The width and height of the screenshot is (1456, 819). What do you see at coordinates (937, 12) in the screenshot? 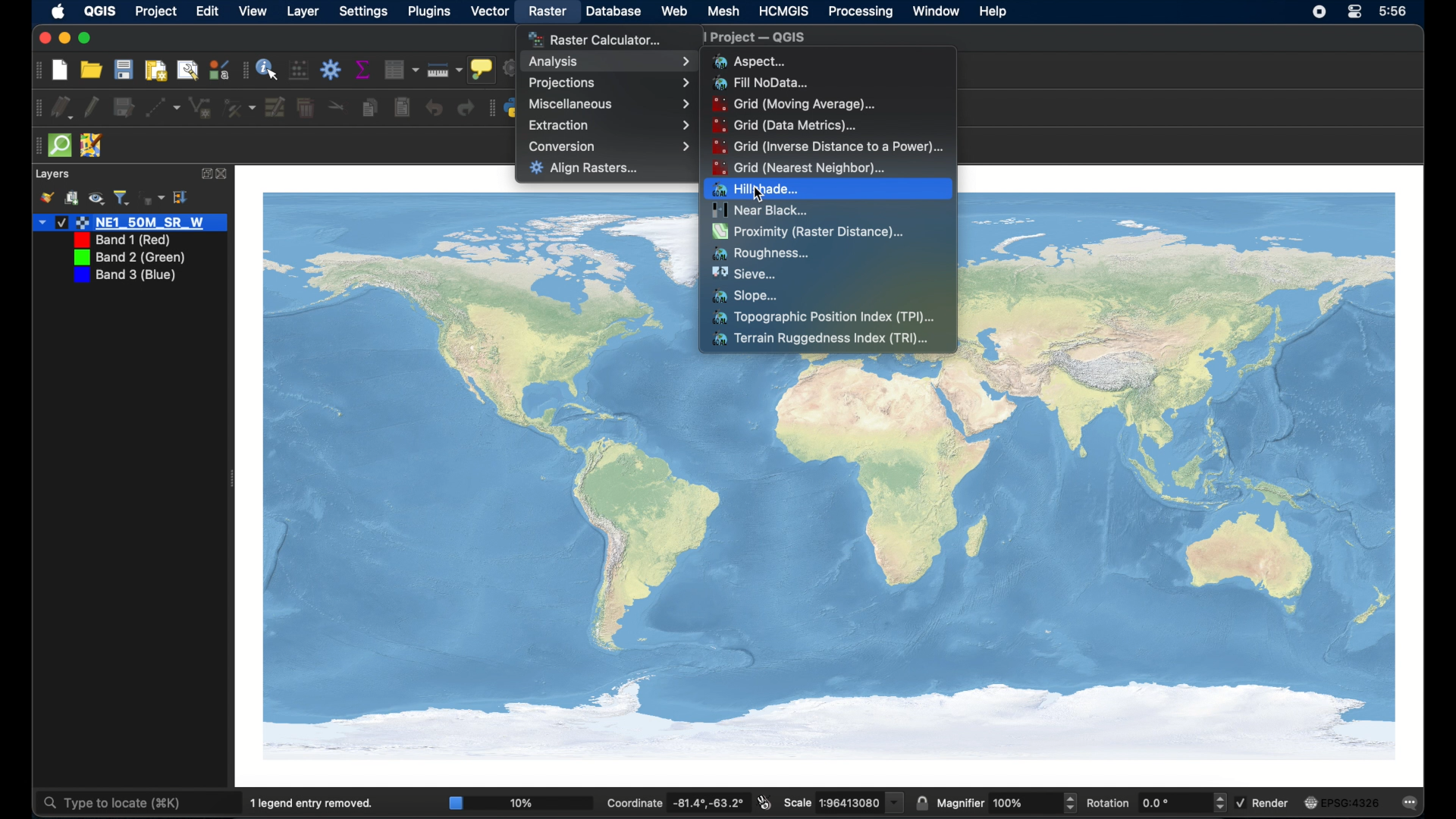
I see `window` at bounding box center [937, 12].